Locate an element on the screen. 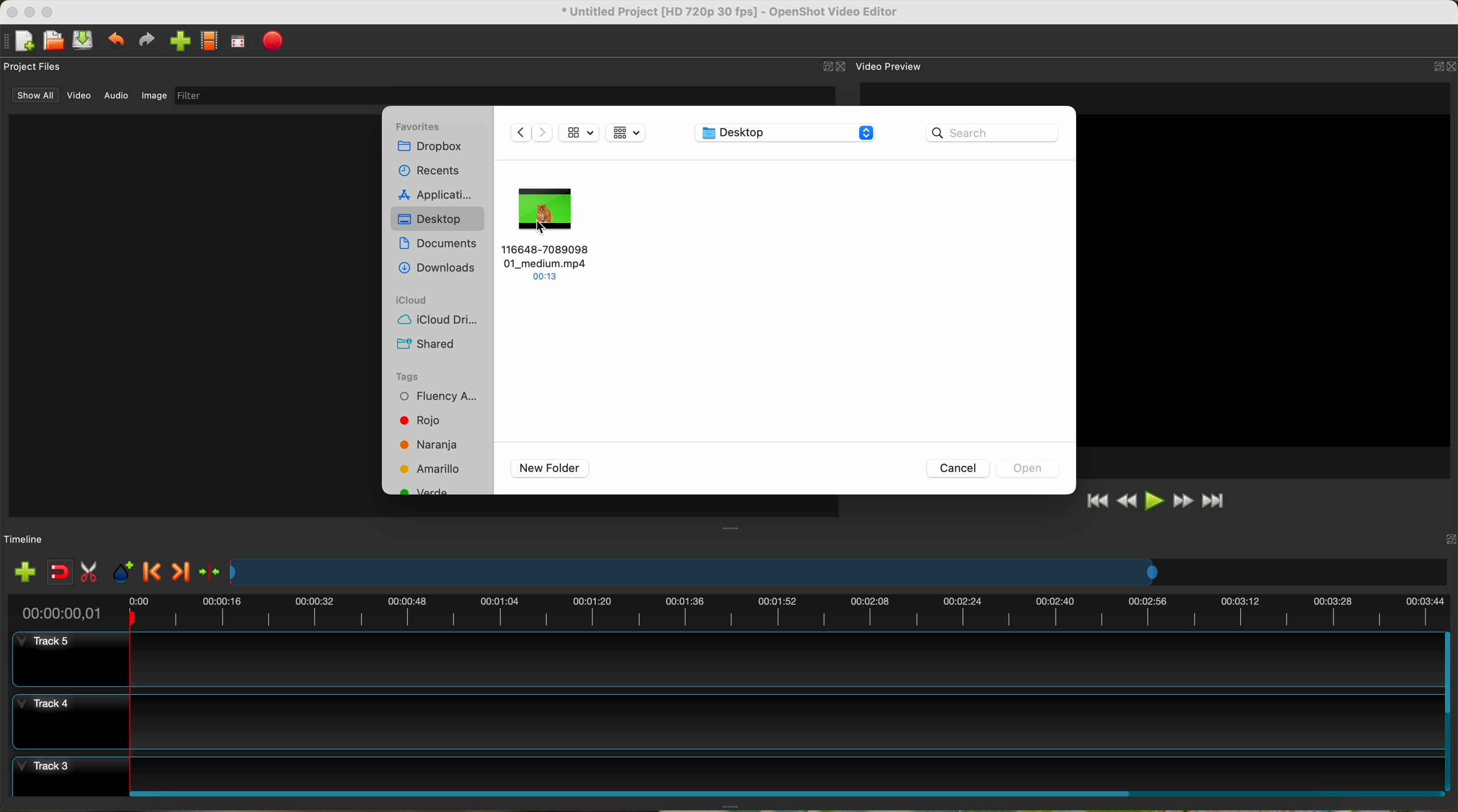 The height and width of the screenshot is (812, 1458). applications is located at coordinates (438, 193).